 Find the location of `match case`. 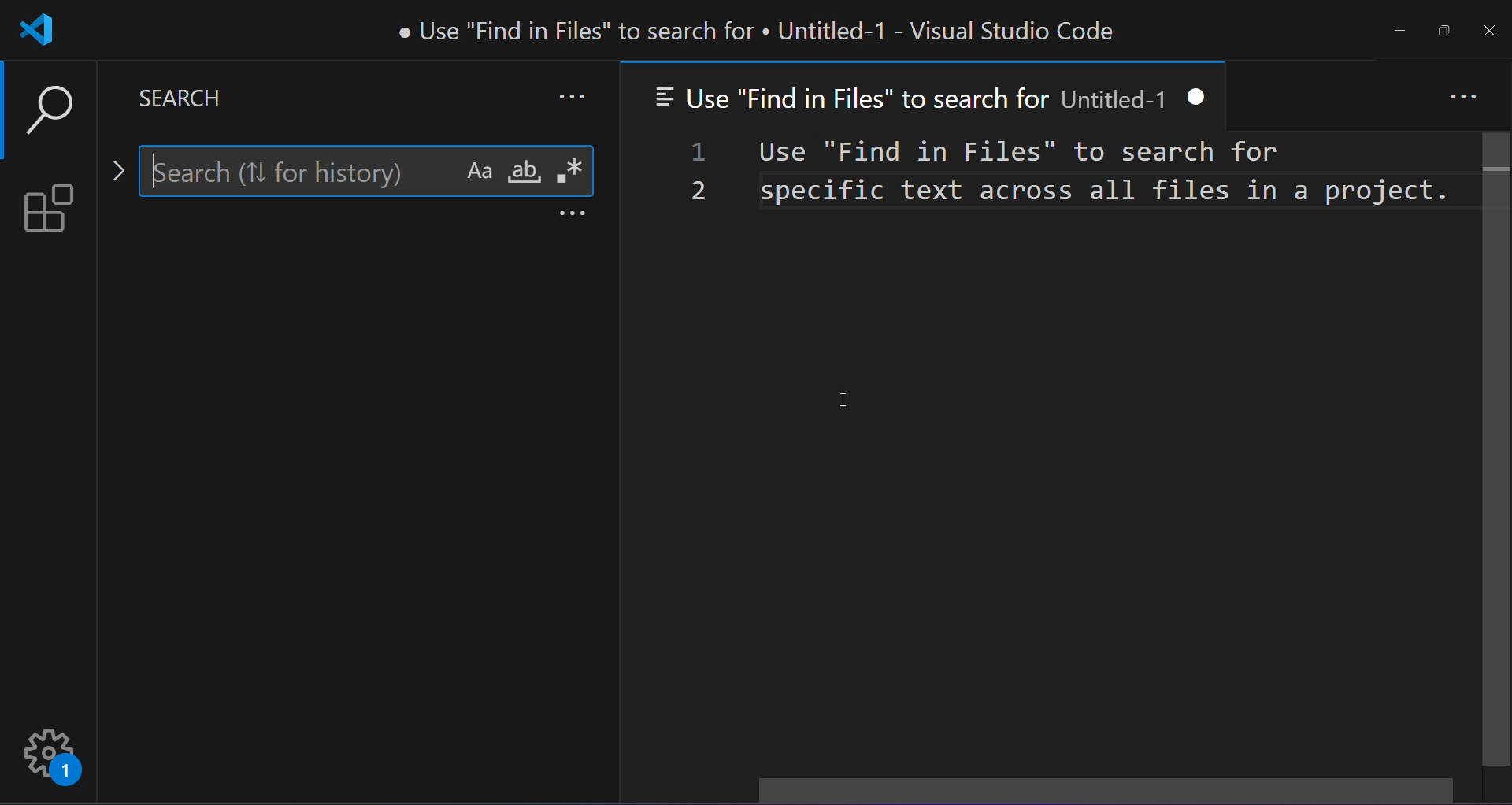

match case is located at coordinates (473, 169).